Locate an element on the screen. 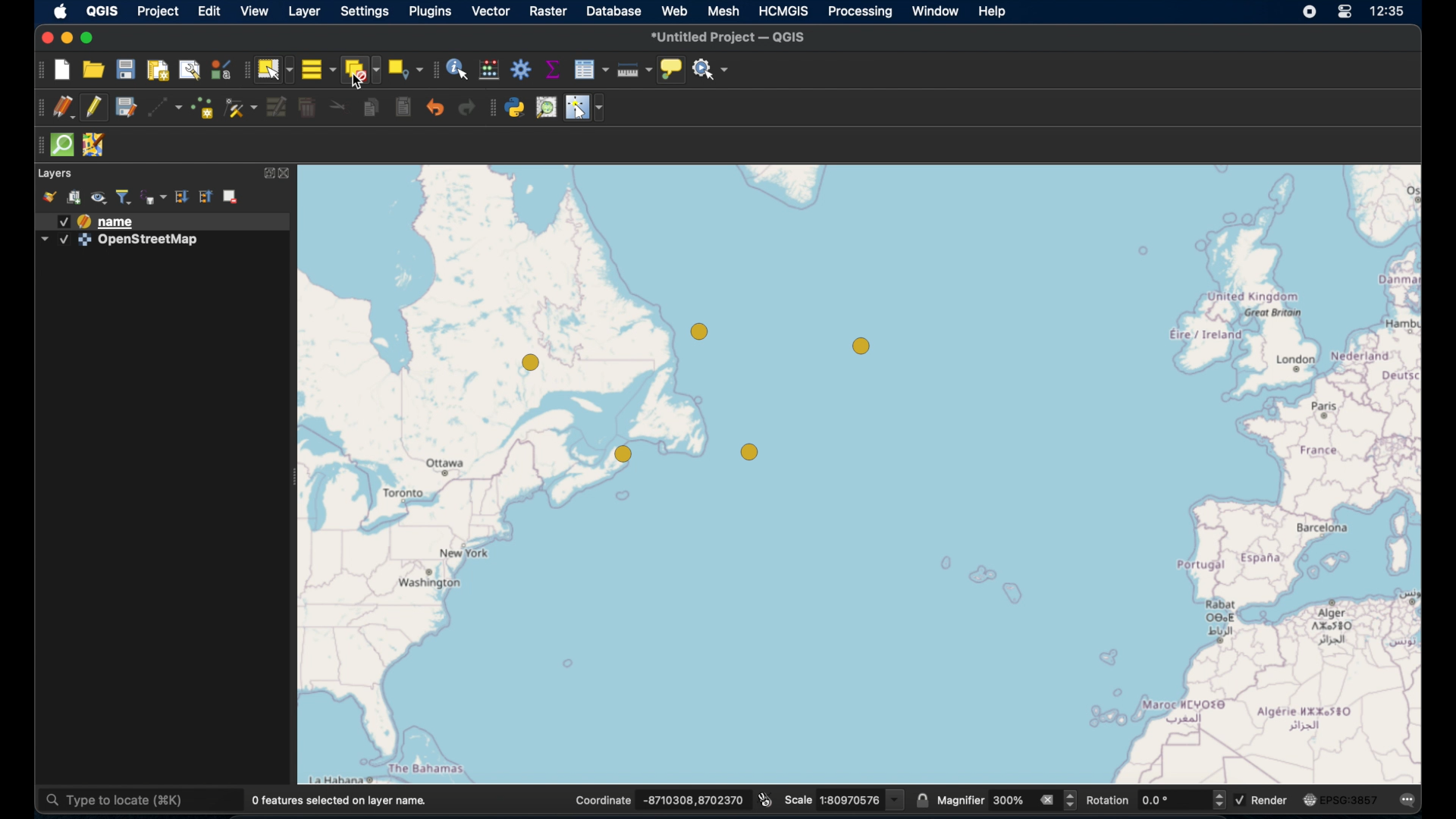  window is located at coordinates (937, 12).